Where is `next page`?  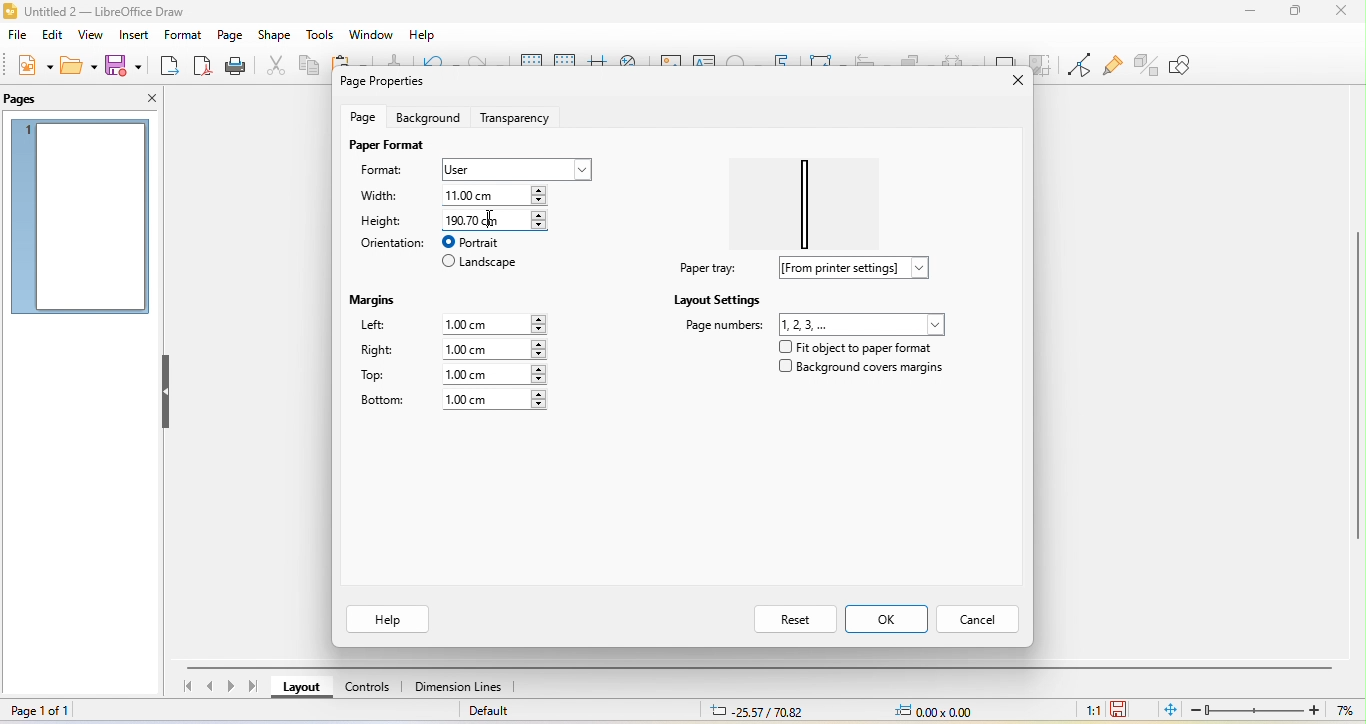 next page is located at coordinates (234, 687).